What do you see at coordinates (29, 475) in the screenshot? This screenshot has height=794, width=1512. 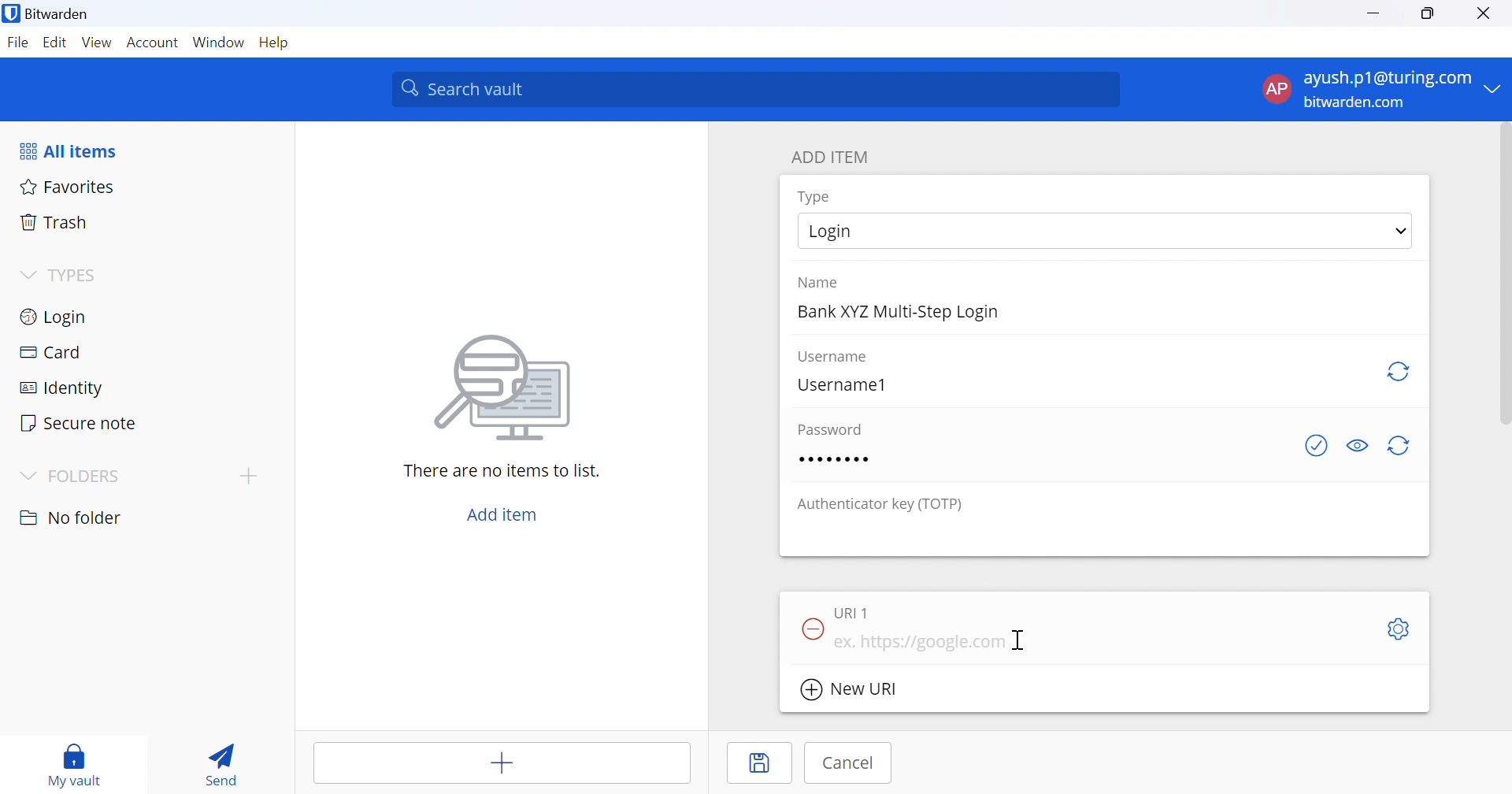 I see `Drop Down` at bounding box center [29, 475].